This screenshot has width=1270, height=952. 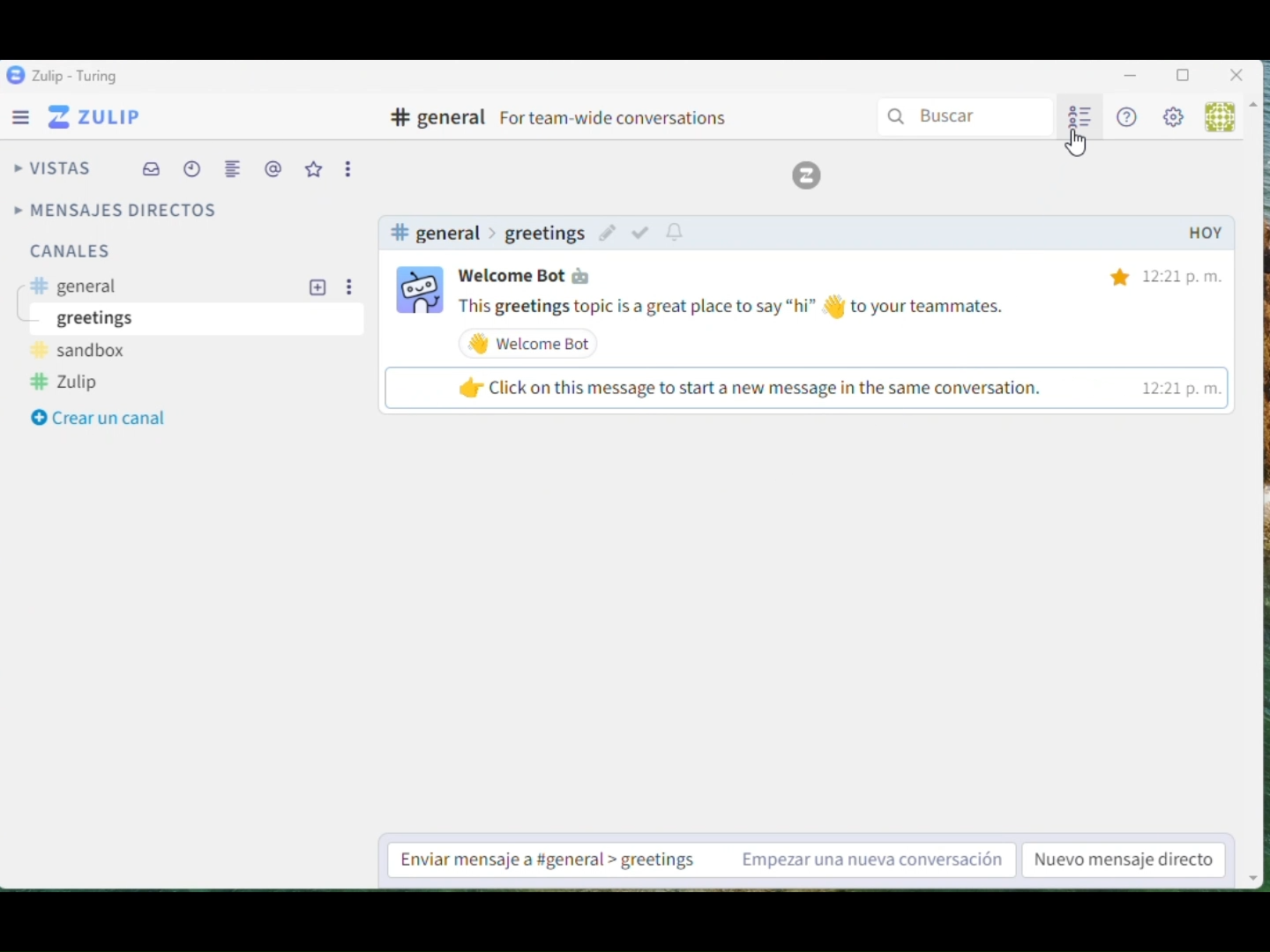 What do you see at coordinates (99, 120) in the screenshot?
I see `Zulip` at bounding box center [99, 120].